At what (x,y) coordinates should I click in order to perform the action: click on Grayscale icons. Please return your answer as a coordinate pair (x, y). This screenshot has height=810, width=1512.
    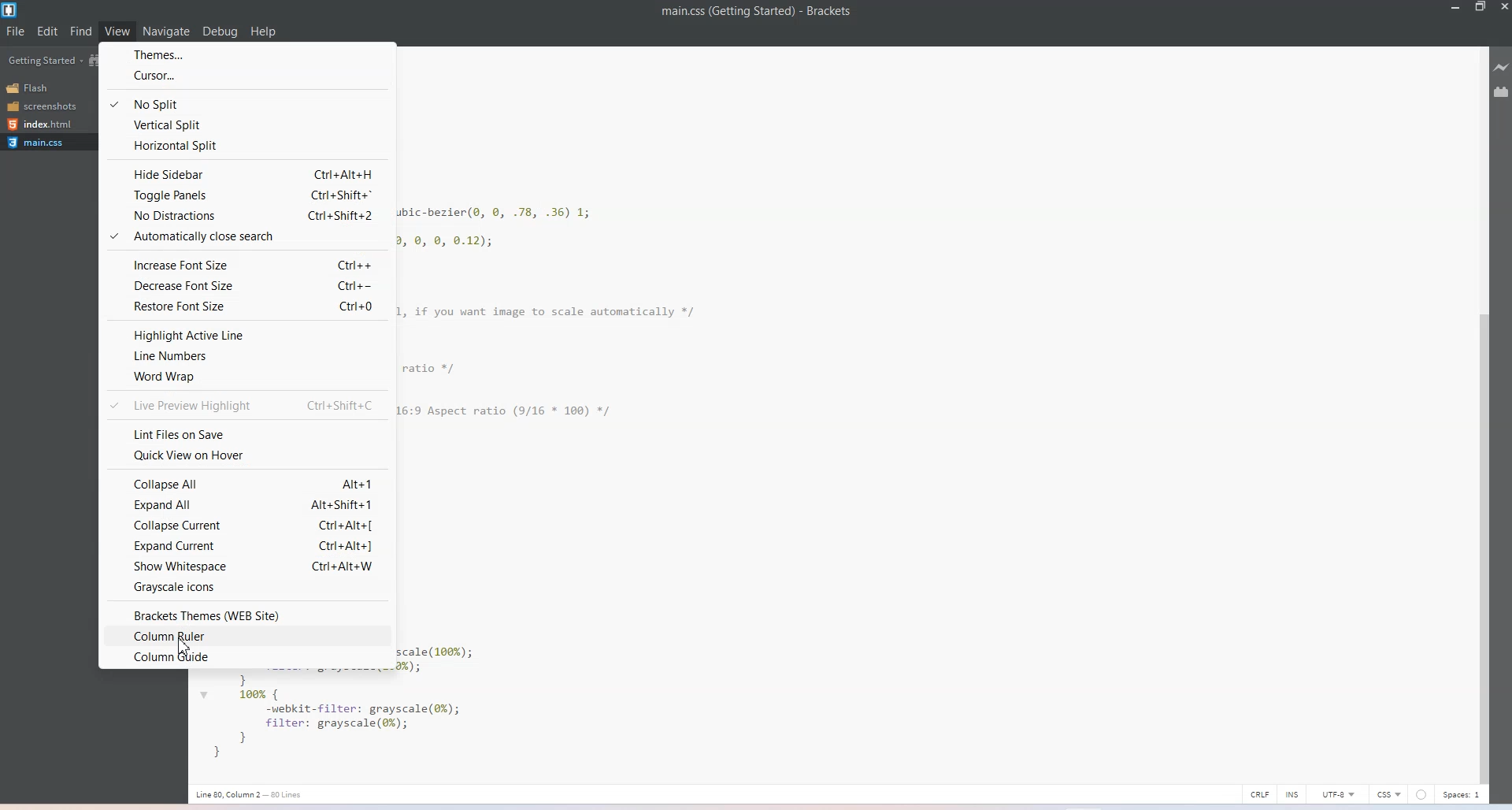
    Looking at the image, I should click on (250, 587).